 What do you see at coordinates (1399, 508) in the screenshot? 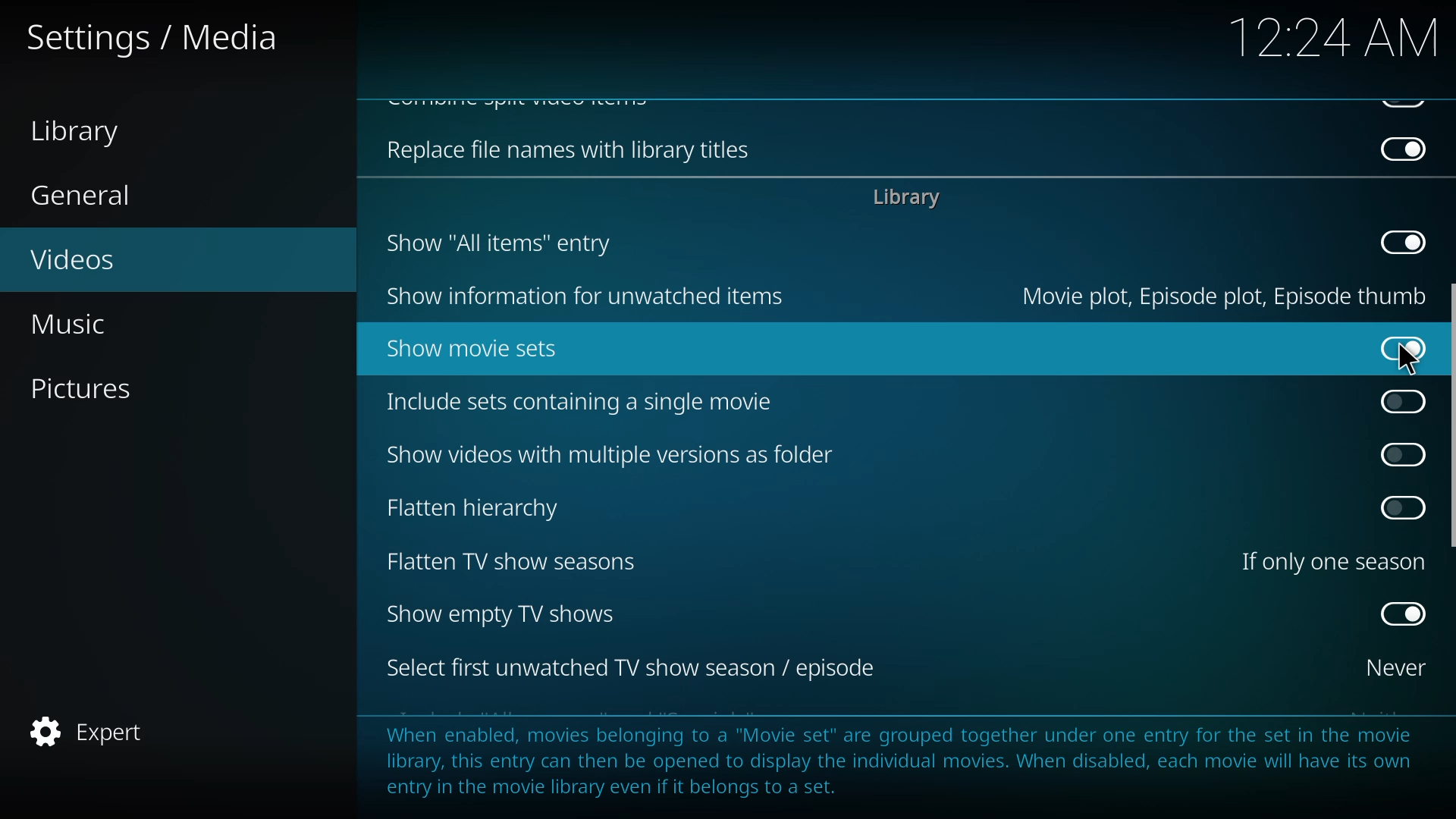
I see `click to enable` at bounding box center [1399, 508].